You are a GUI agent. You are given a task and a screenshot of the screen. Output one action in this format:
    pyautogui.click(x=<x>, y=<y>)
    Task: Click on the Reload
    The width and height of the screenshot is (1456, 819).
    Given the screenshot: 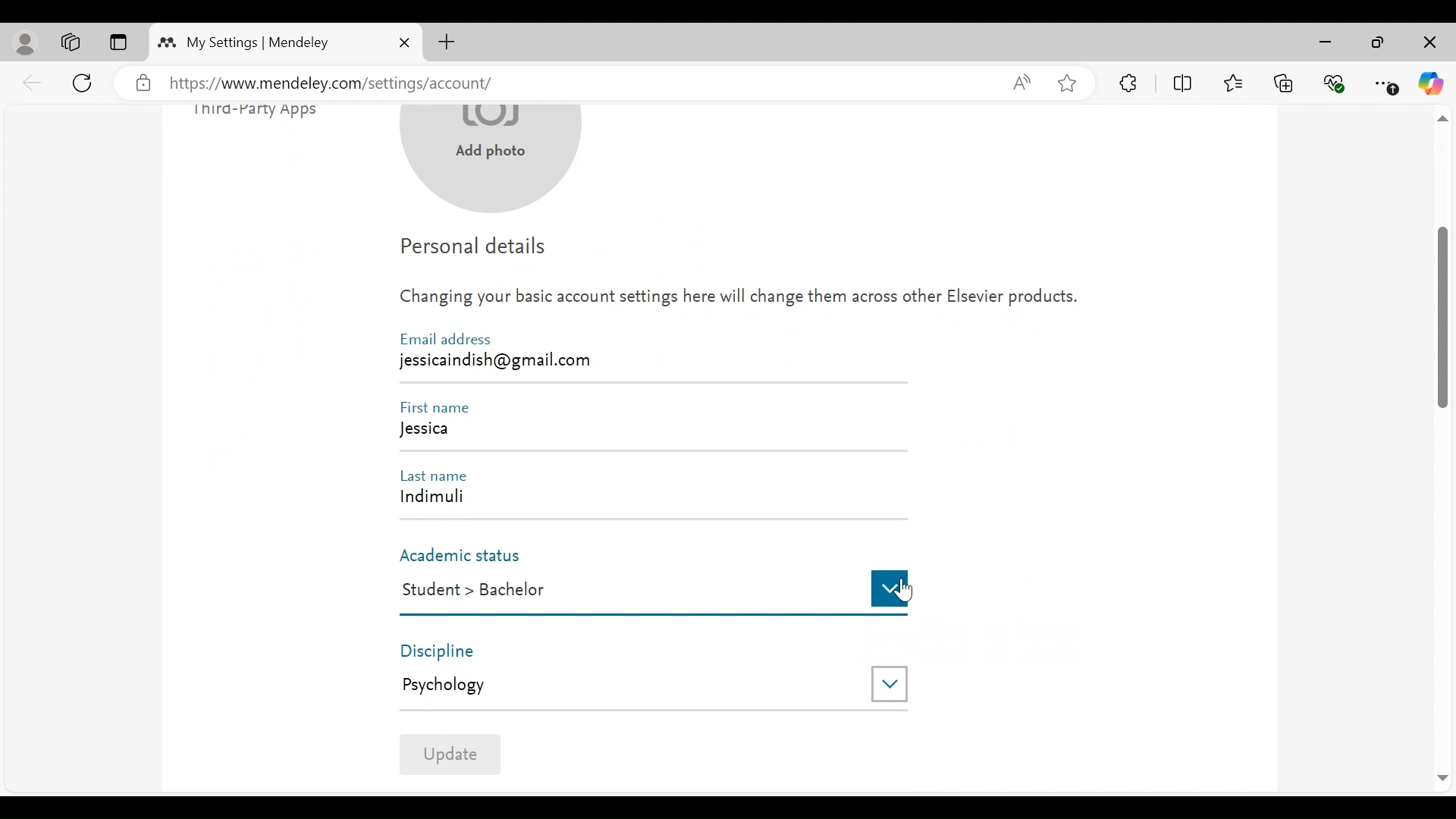 What is the action you would take?
    pyautogui.click(x=85, y=81)
    